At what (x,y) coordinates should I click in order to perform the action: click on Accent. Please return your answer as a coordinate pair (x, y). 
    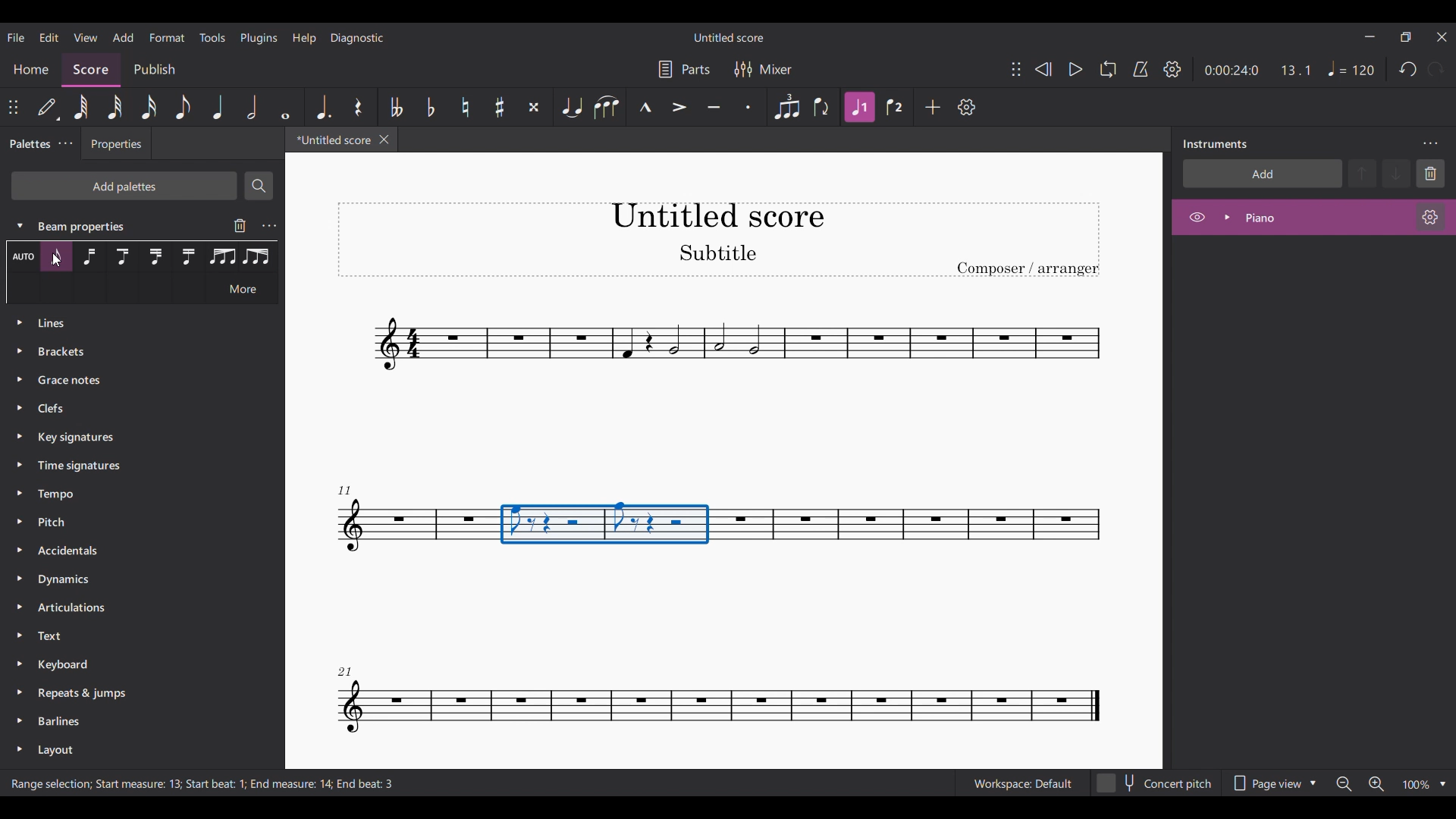
    Looking at the image, I should click on (679, 108).